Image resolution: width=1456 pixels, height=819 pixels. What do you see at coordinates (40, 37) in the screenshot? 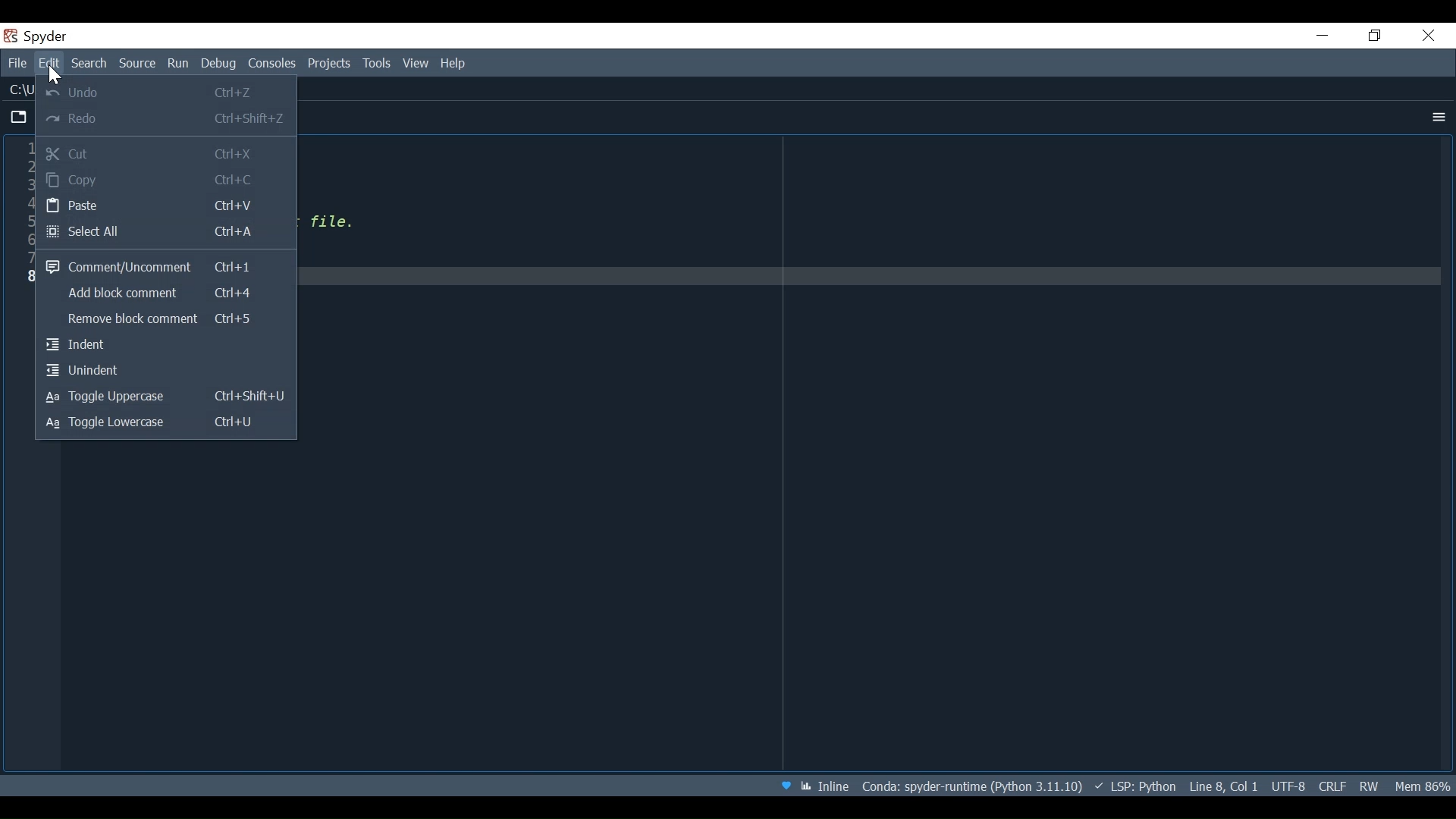
I see `Spyder Desktop icon` at bounding box center [40, 37].